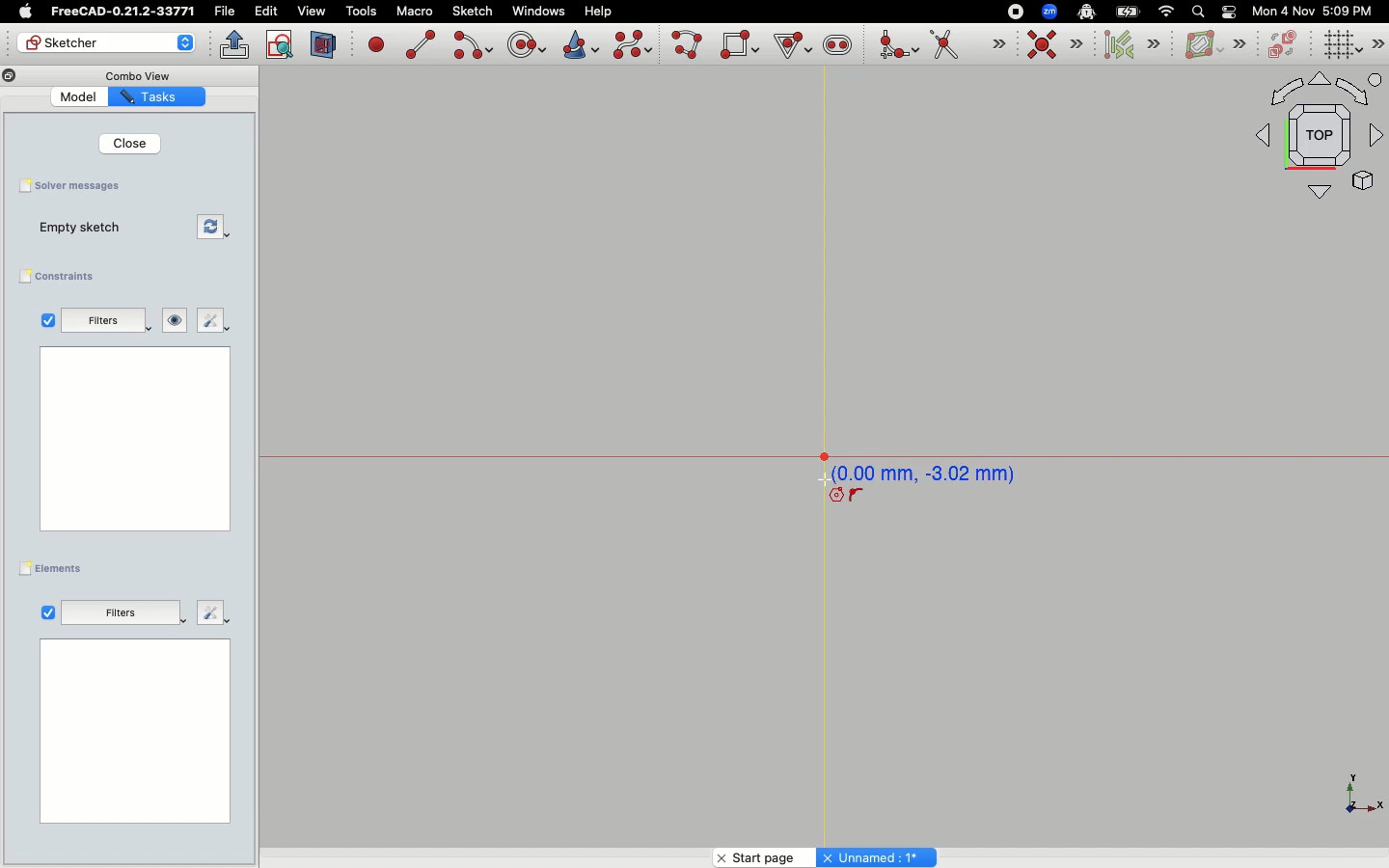 The image size is (1389, 868). What do you see at coordinates (48, 611) in the screenshot?
I see `Checkbox` at bounding box center [48, 611].